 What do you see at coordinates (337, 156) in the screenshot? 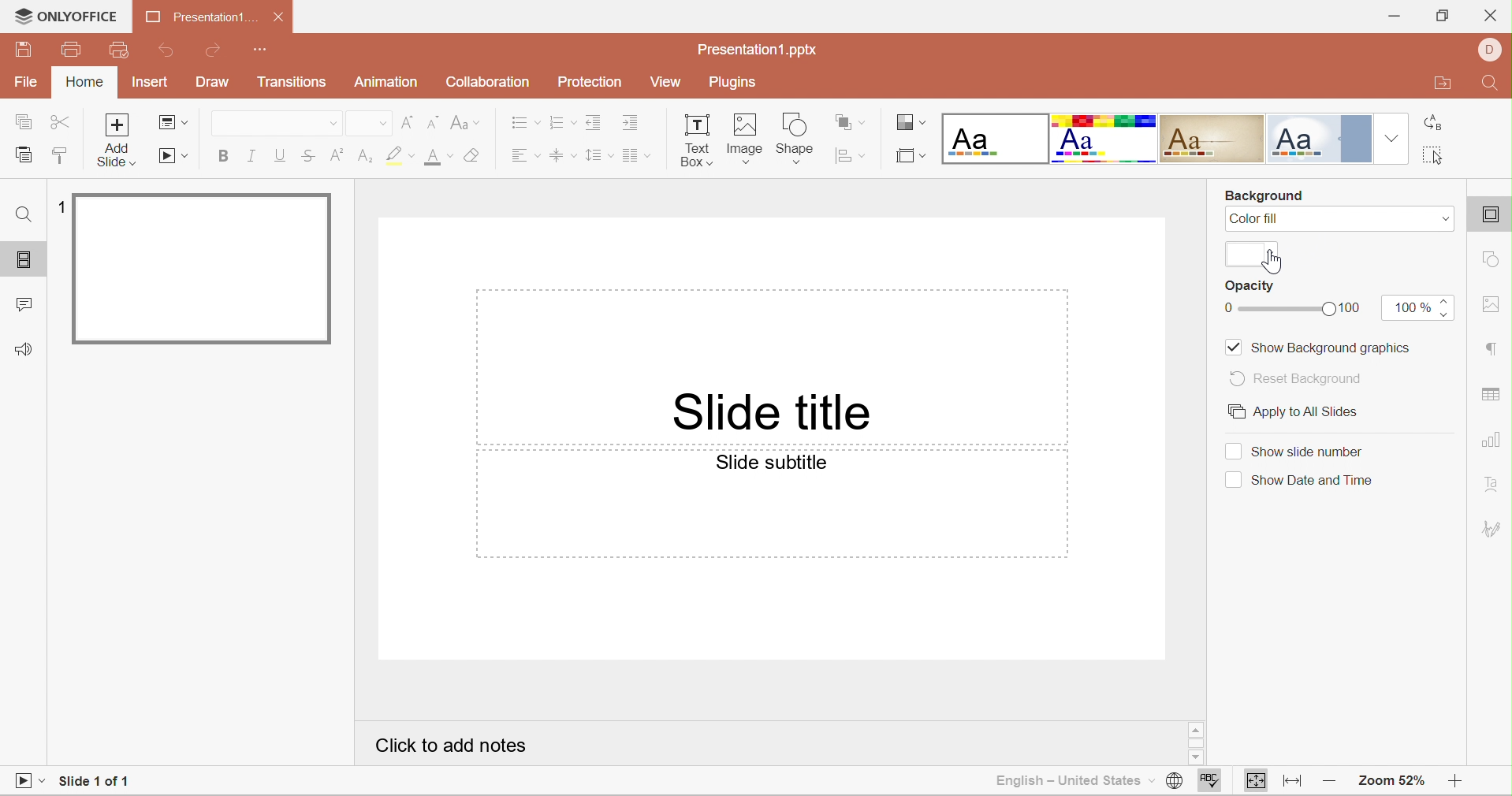
I see `Superscript` at bounding box center [337, 156].